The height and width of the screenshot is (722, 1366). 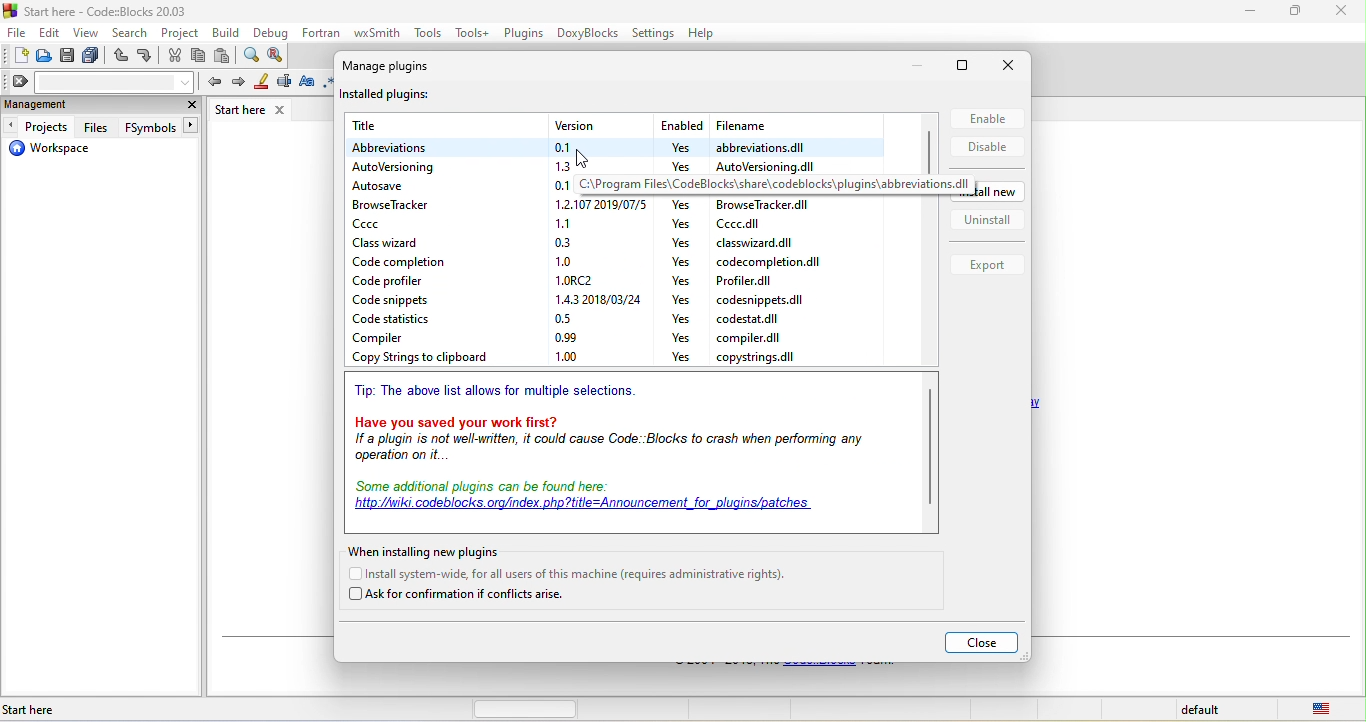 What do you see at coordinates (409, 264) in the screenshot?
I see `code completion` at bounding box center [409, 264].